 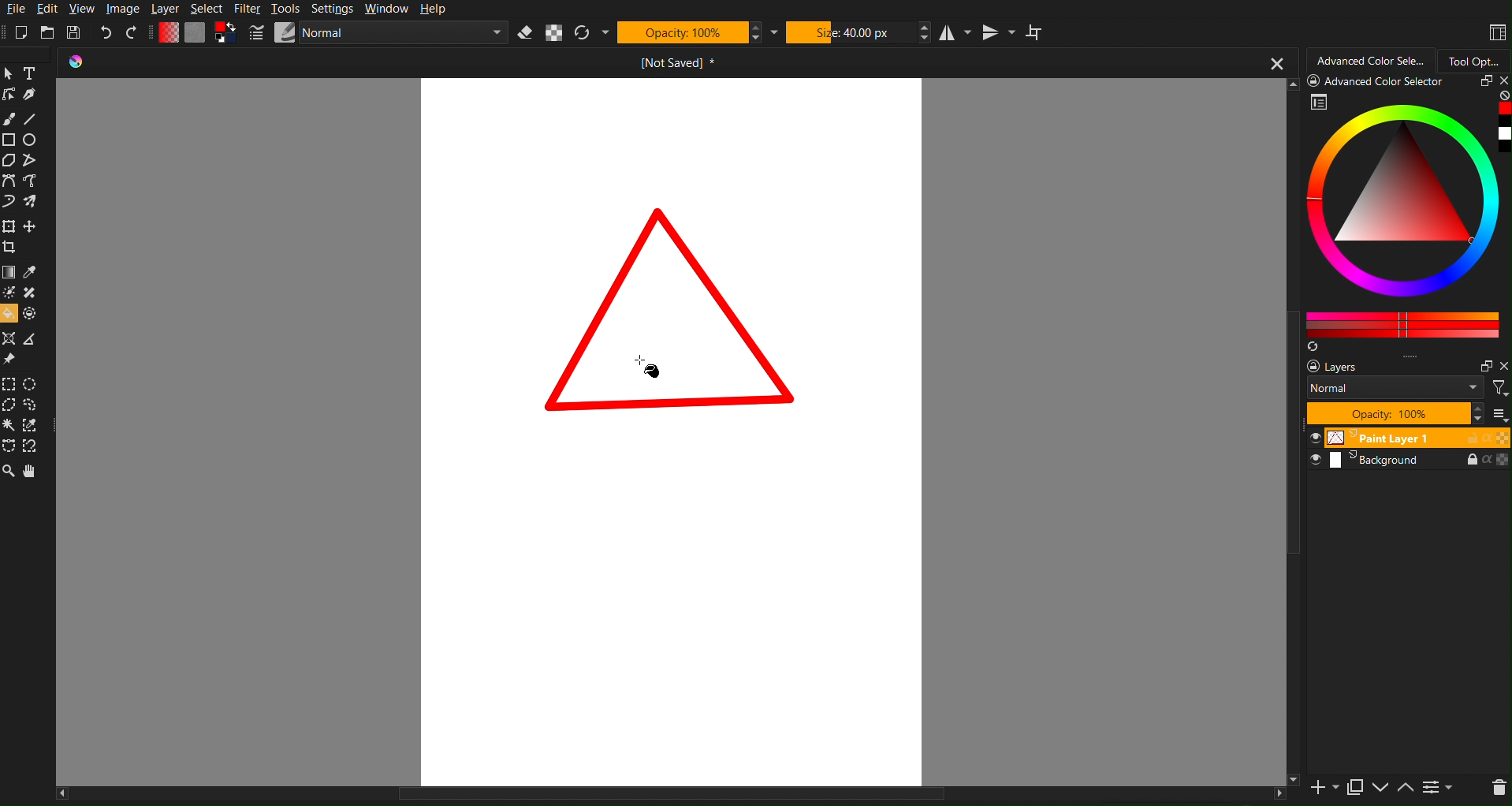 What do you see at coordinates (1476, 58) in the screenshot?
I see `Tool Options` at bounding box center [1476, 58].